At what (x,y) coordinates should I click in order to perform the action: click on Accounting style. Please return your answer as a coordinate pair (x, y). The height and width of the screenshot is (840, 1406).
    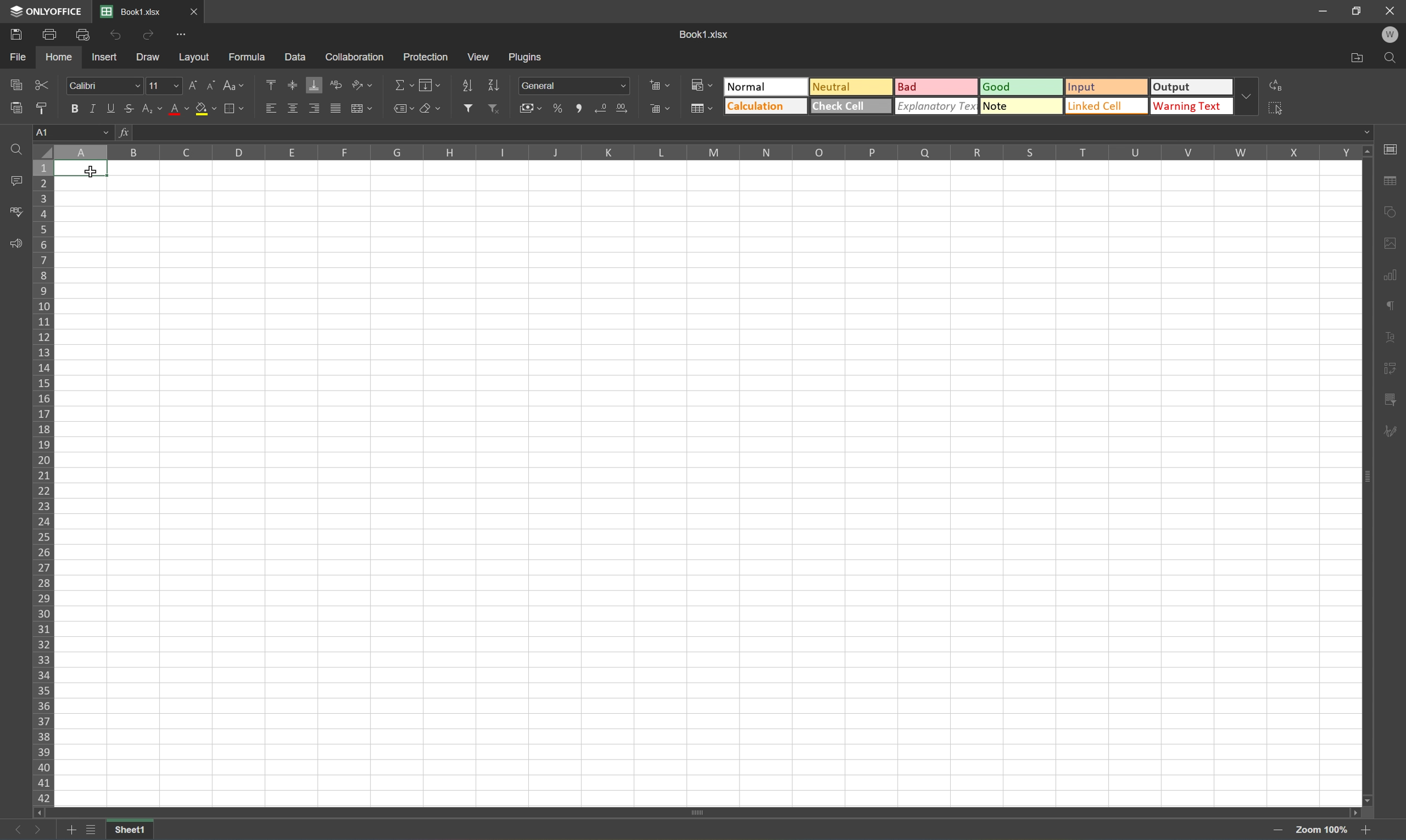
    Looking at the image, I should click on (533, 108).